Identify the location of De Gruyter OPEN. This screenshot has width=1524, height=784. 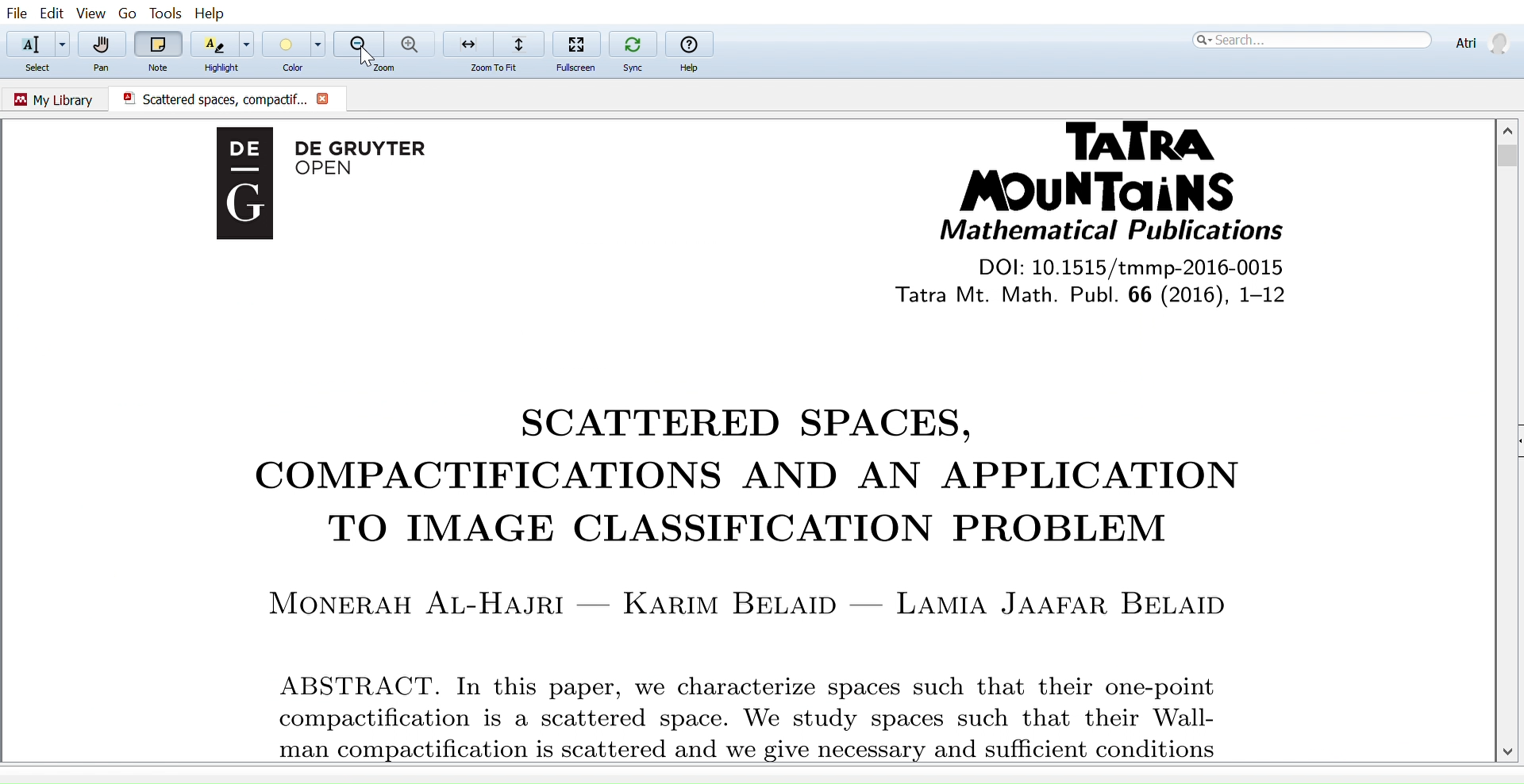
(360, 157).